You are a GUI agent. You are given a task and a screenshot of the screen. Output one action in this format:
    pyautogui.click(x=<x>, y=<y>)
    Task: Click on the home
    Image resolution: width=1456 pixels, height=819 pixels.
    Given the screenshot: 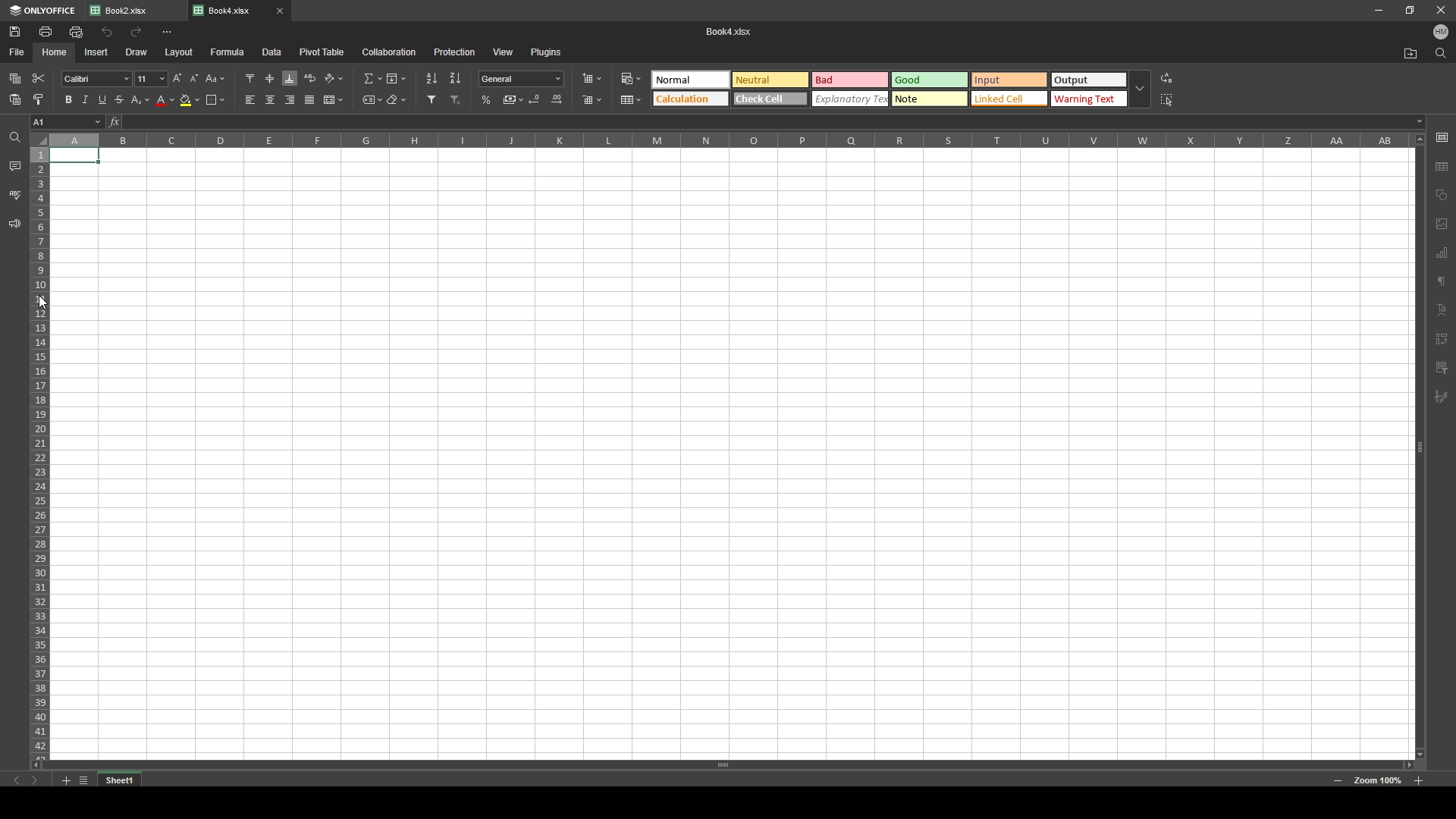 What is the action you would take?
    pyautogui.click(x=55, y=52)
    